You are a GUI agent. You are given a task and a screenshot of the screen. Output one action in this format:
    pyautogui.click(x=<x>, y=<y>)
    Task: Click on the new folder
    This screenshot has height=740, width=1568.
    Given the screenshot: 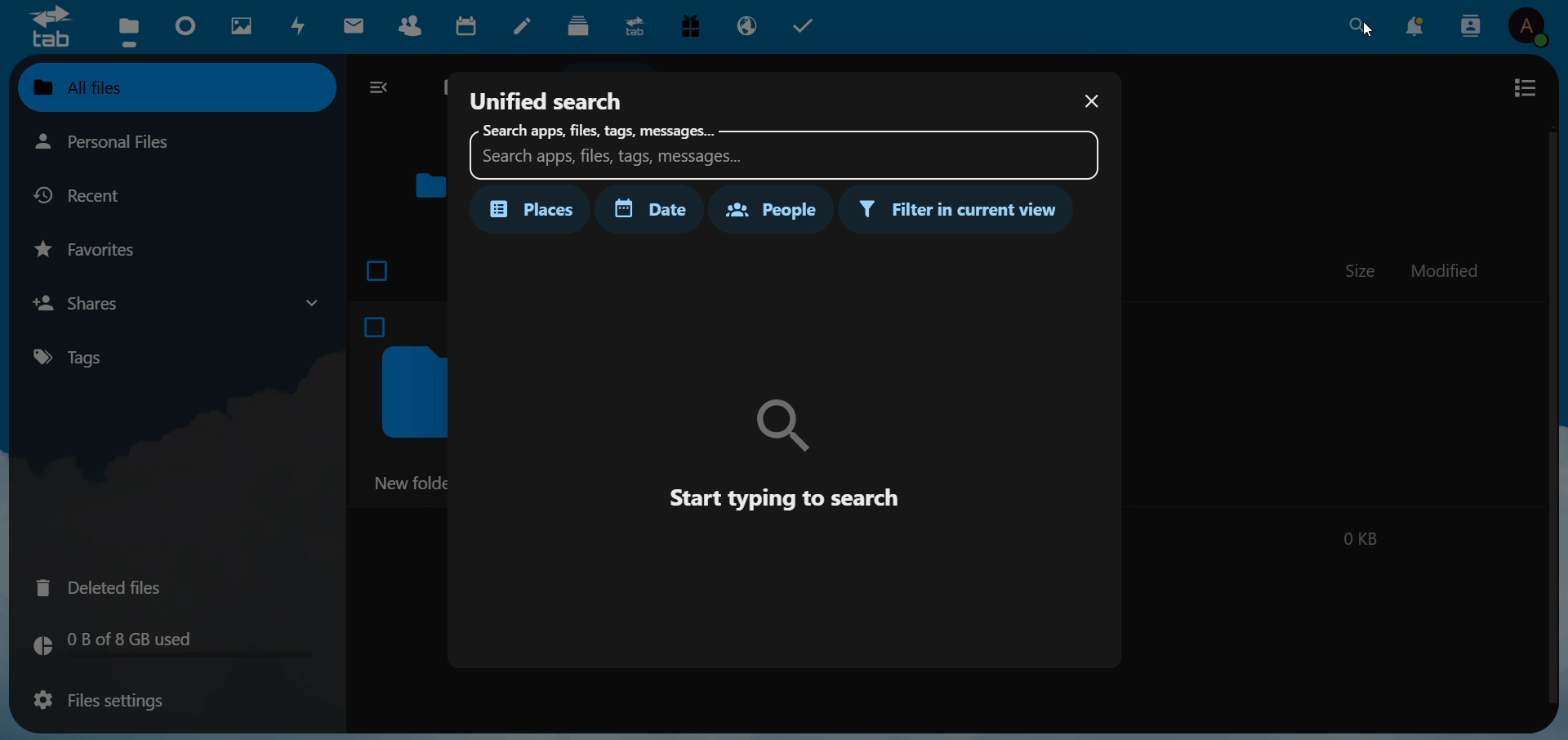 What is the action you would take?
    pyautogui.click(x=407, y=485)
    